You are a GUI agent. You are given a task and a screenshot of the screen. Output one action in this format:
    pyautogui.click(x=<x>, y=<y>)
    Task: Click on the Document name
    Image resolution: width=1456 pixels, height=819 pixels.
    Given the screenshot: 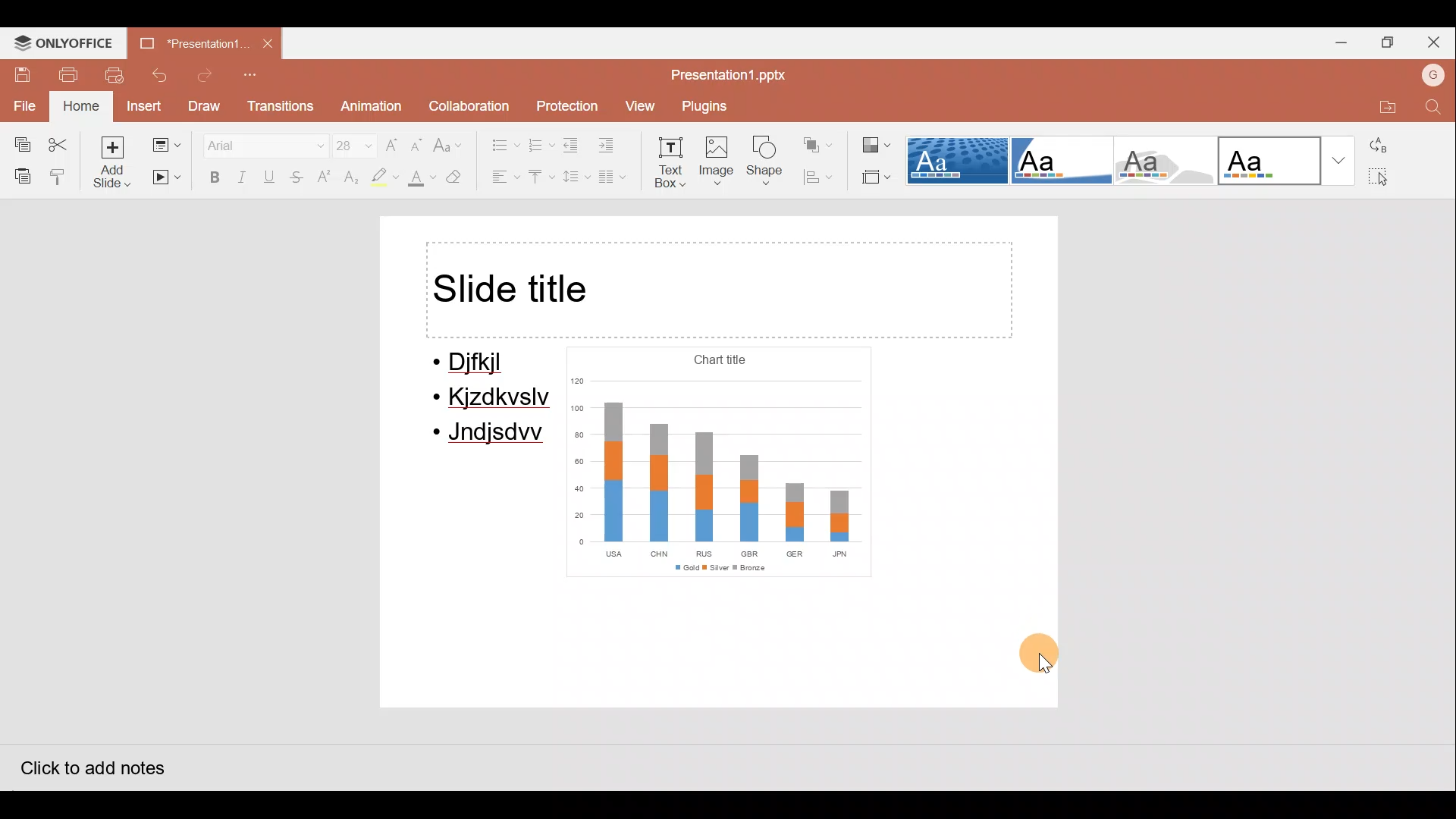 What is the action you would take?
    pyautogui.click(x=727, y=74)
    